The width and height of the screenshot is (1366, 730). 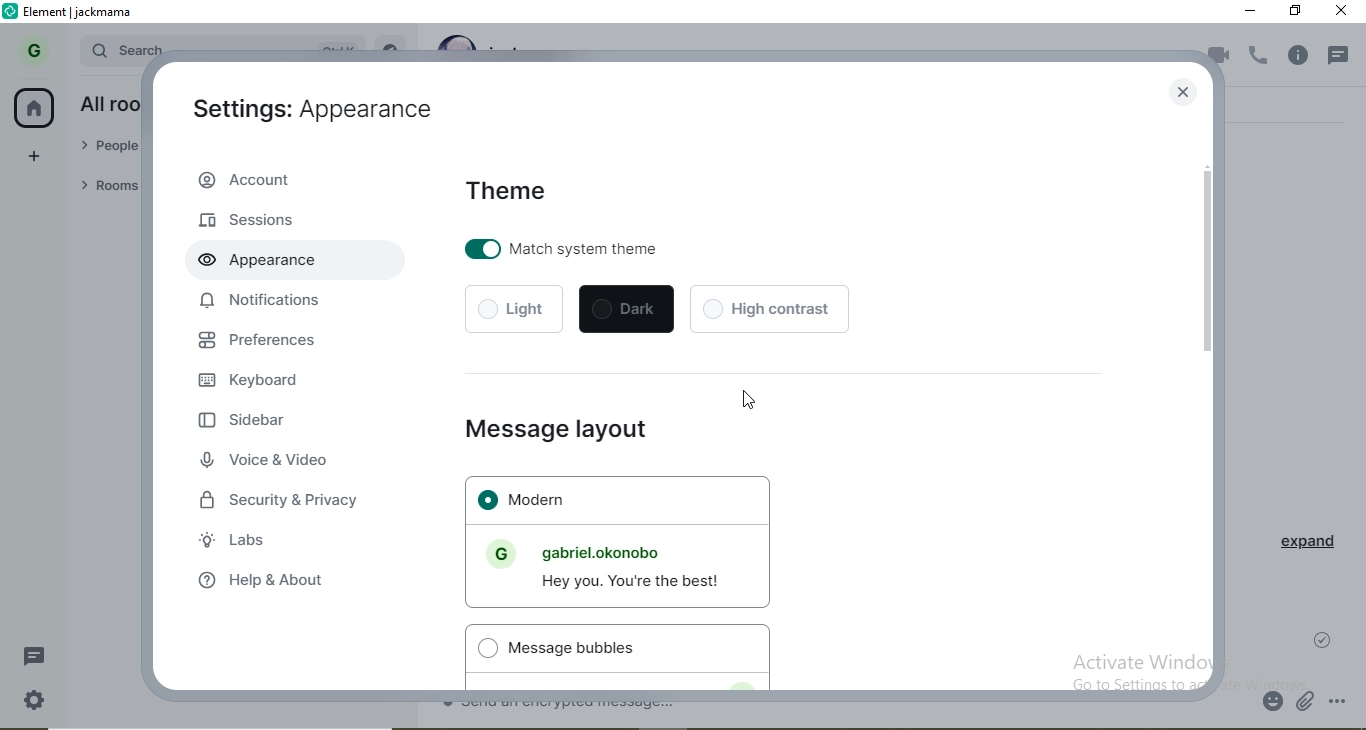 What do you see at coordinates (273, 340) in the screenshot?
I see `preferences` at bounding box center [273, 340].